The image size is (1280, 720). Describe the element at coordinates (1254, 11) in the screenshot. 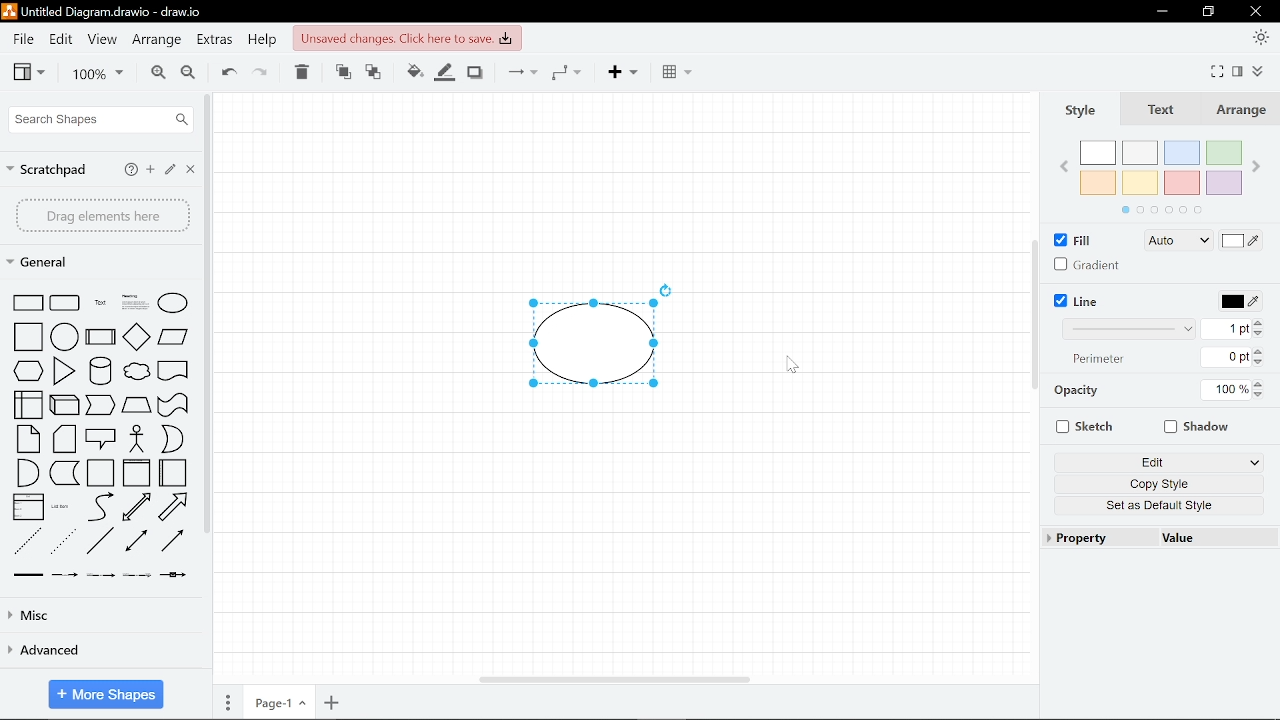

I see `Close window` at that location.